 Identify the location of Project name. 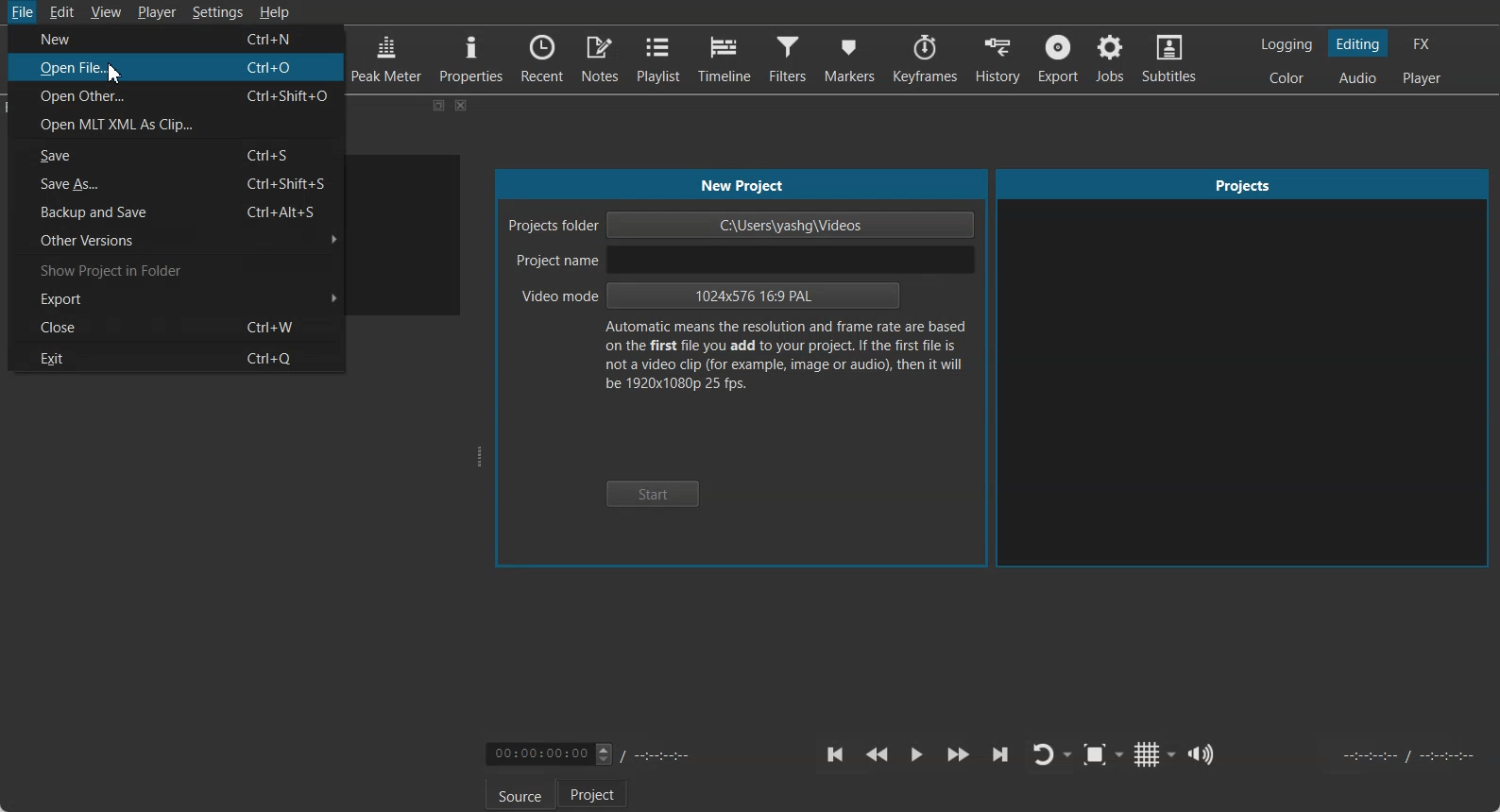
(740, 260).